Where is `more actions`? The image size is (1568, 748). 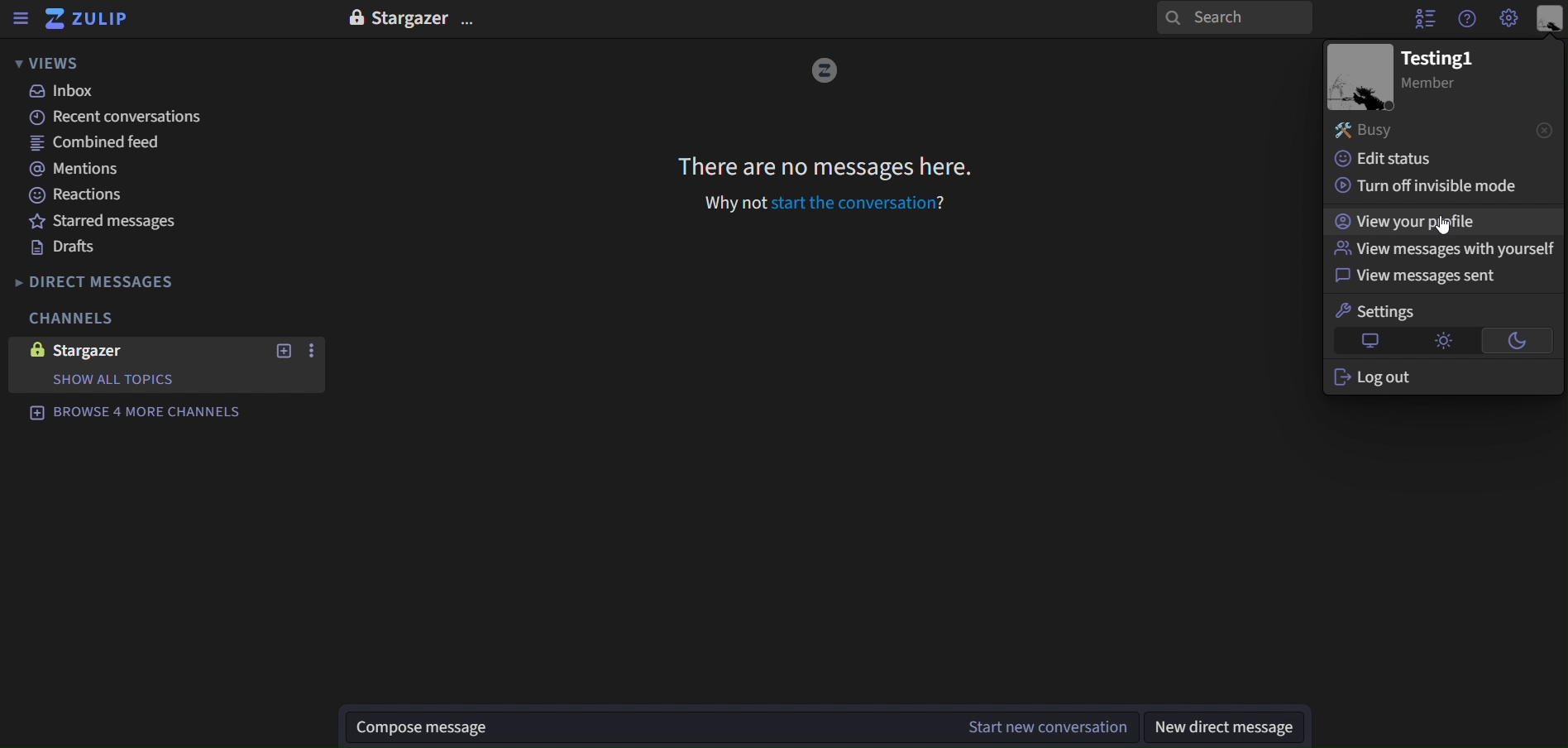 more actions is located at coordinates (313, 352).